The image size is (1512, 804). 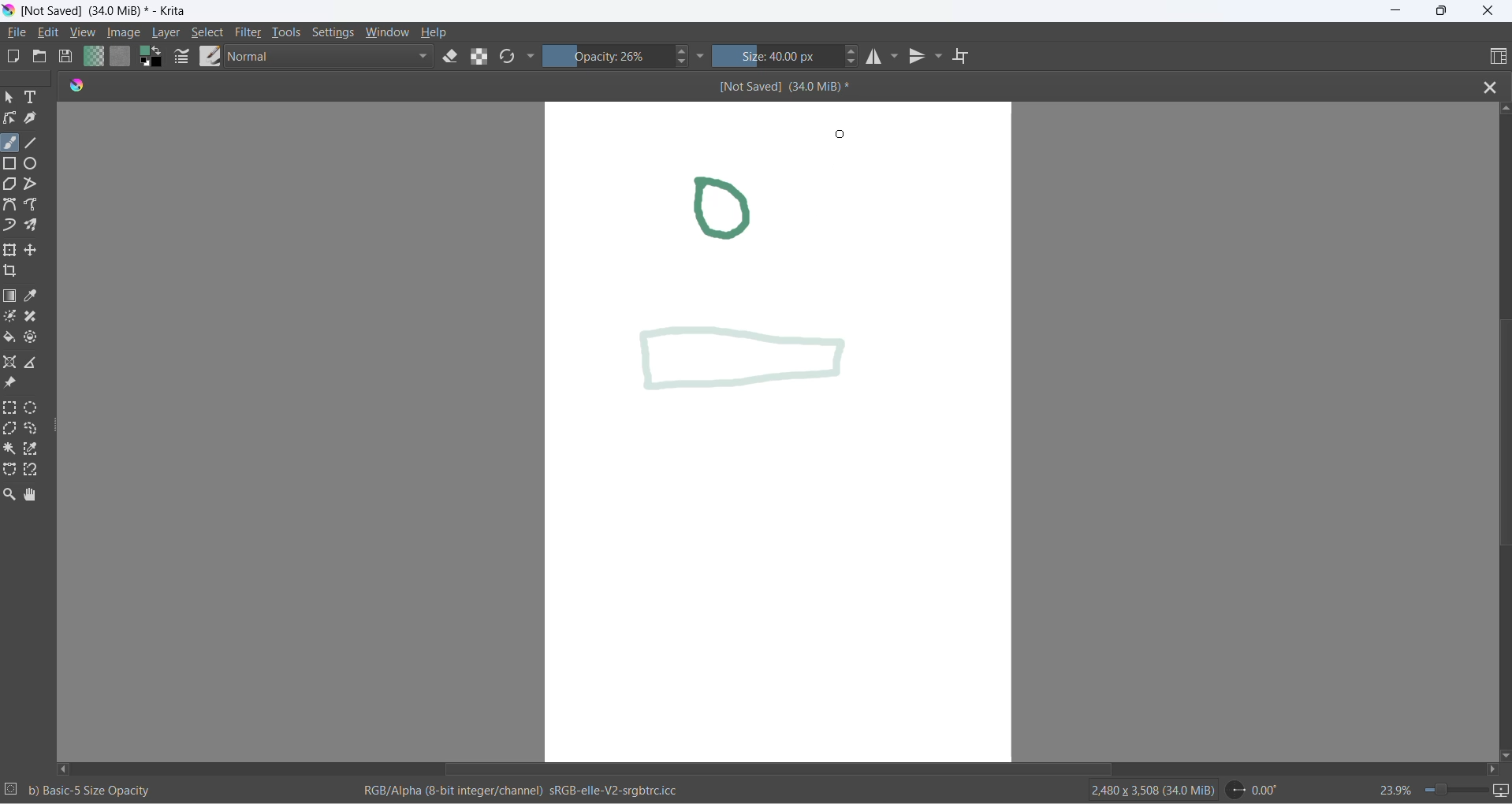 I want to click on similar color selection tool, so click(x=36, y=449).